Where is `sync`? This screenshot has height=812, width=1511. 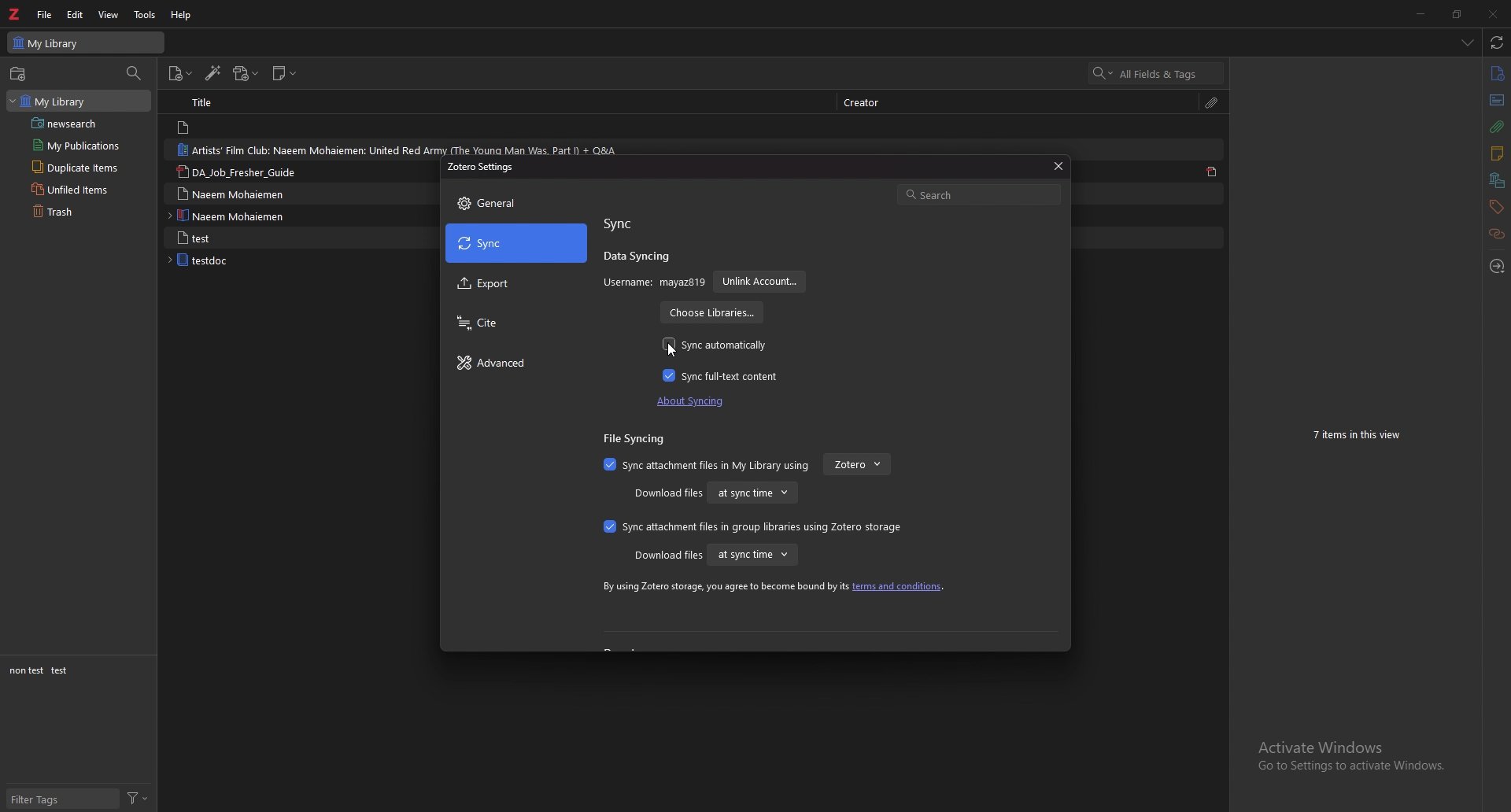
sync is located at coordinates (622, 224).